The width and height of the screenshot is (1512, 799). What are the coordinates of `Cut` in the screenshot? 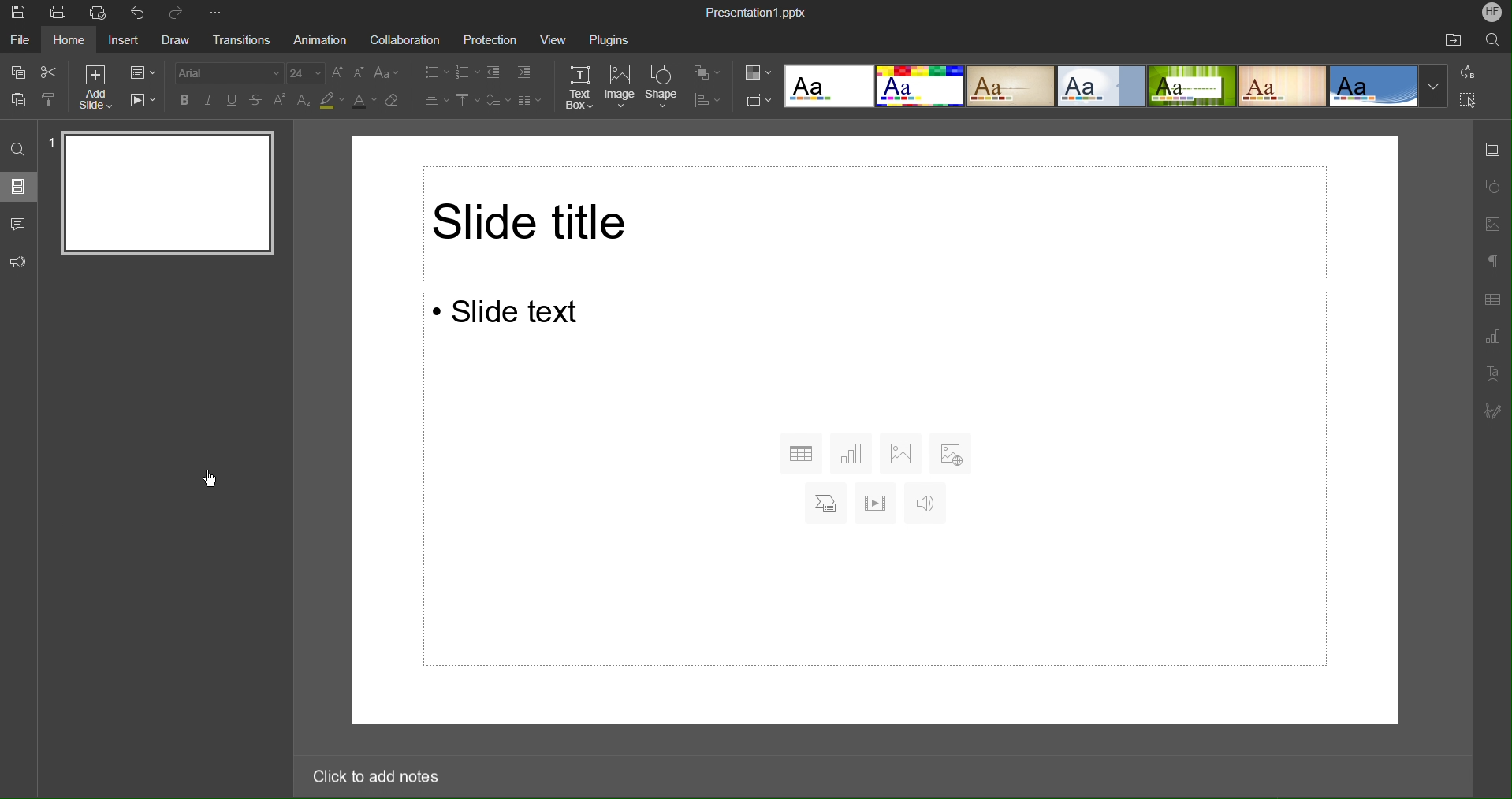 It's located at (51, 71).